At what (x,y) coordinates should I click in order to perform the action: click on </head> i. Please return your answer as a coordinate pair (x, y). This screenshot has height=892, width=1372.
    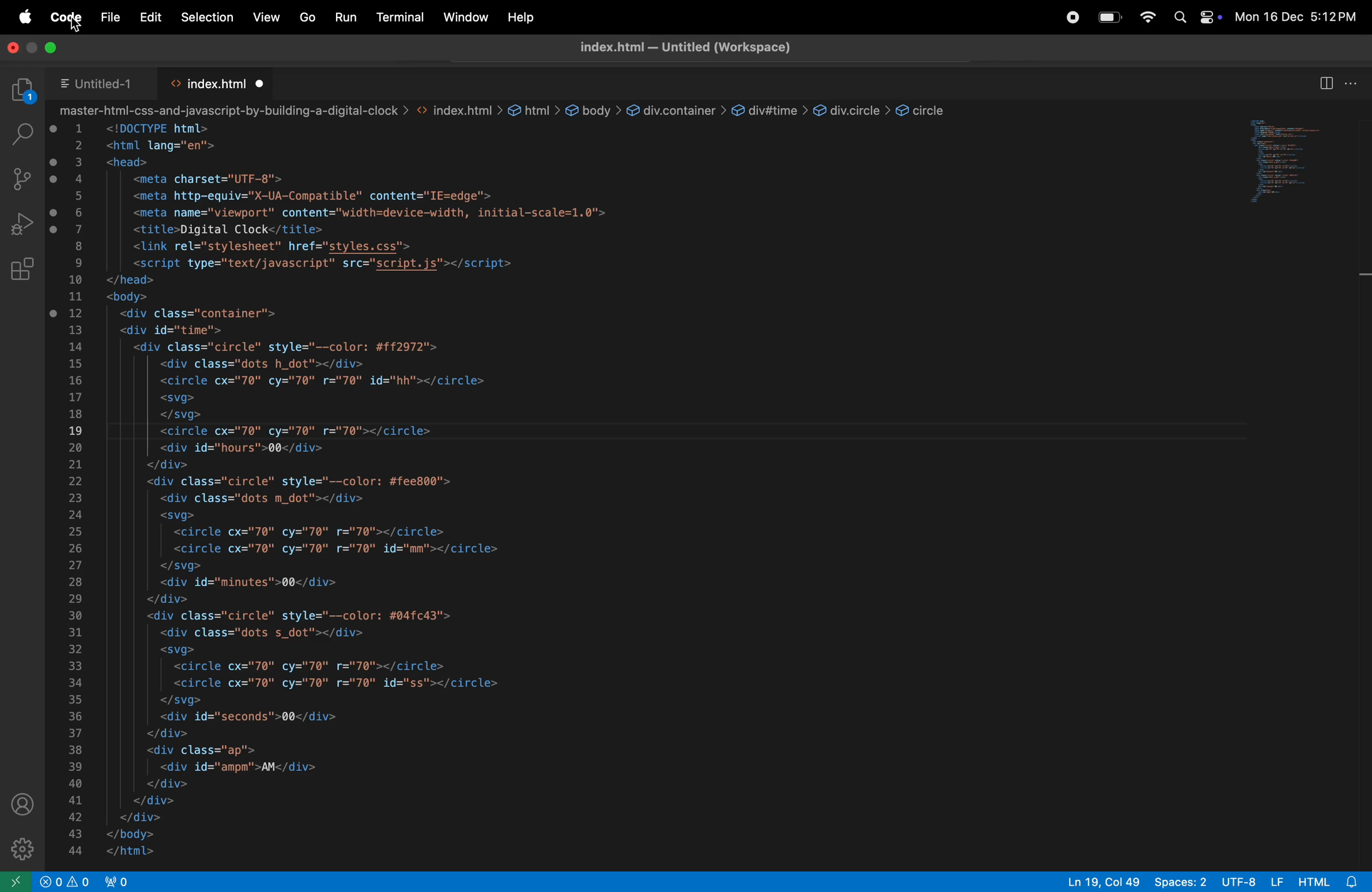
    Looking at the image, I should click on (131, 281).